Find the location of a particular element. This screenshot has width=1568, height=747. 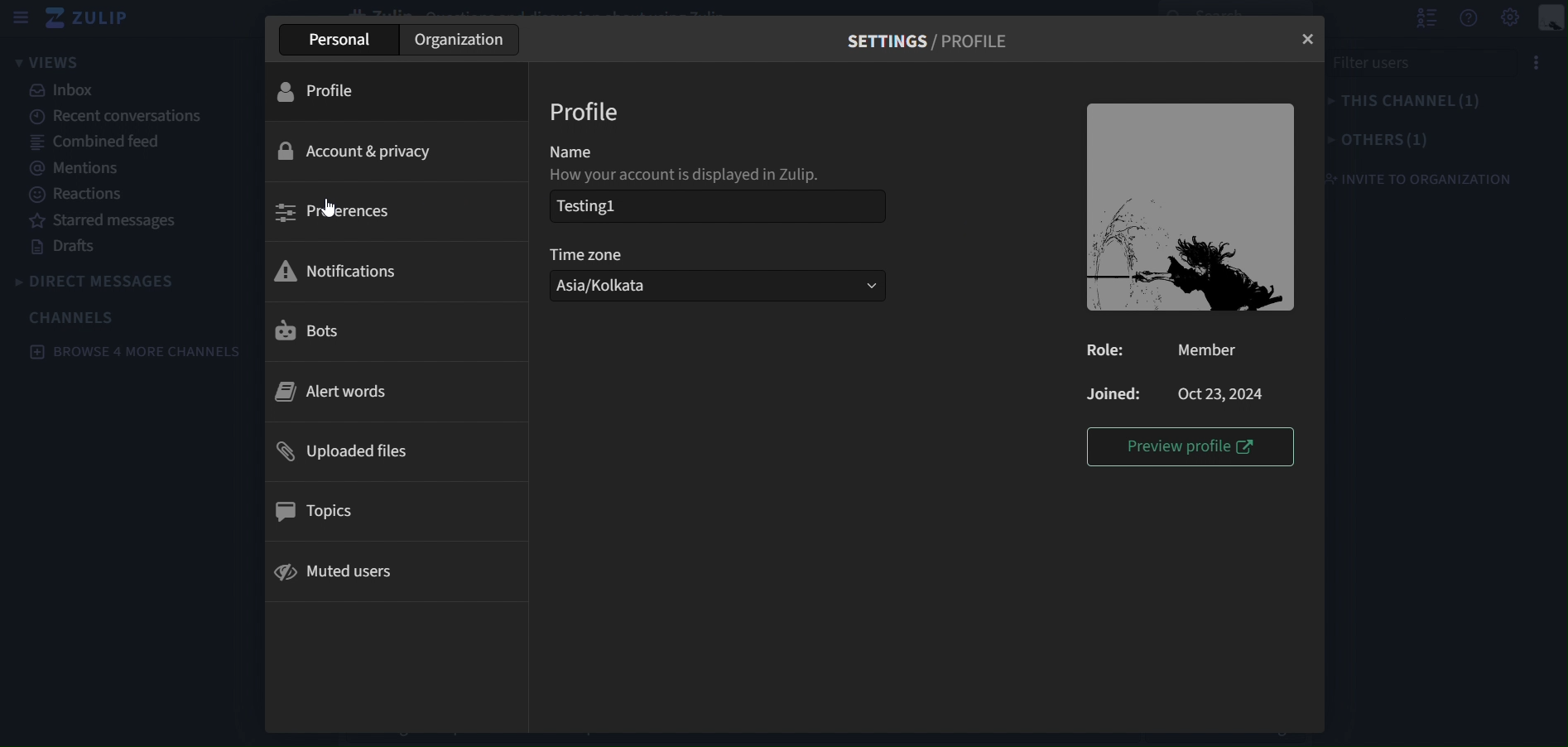

Joined Oct 23,2024 is located at coordinates (1190, 393).